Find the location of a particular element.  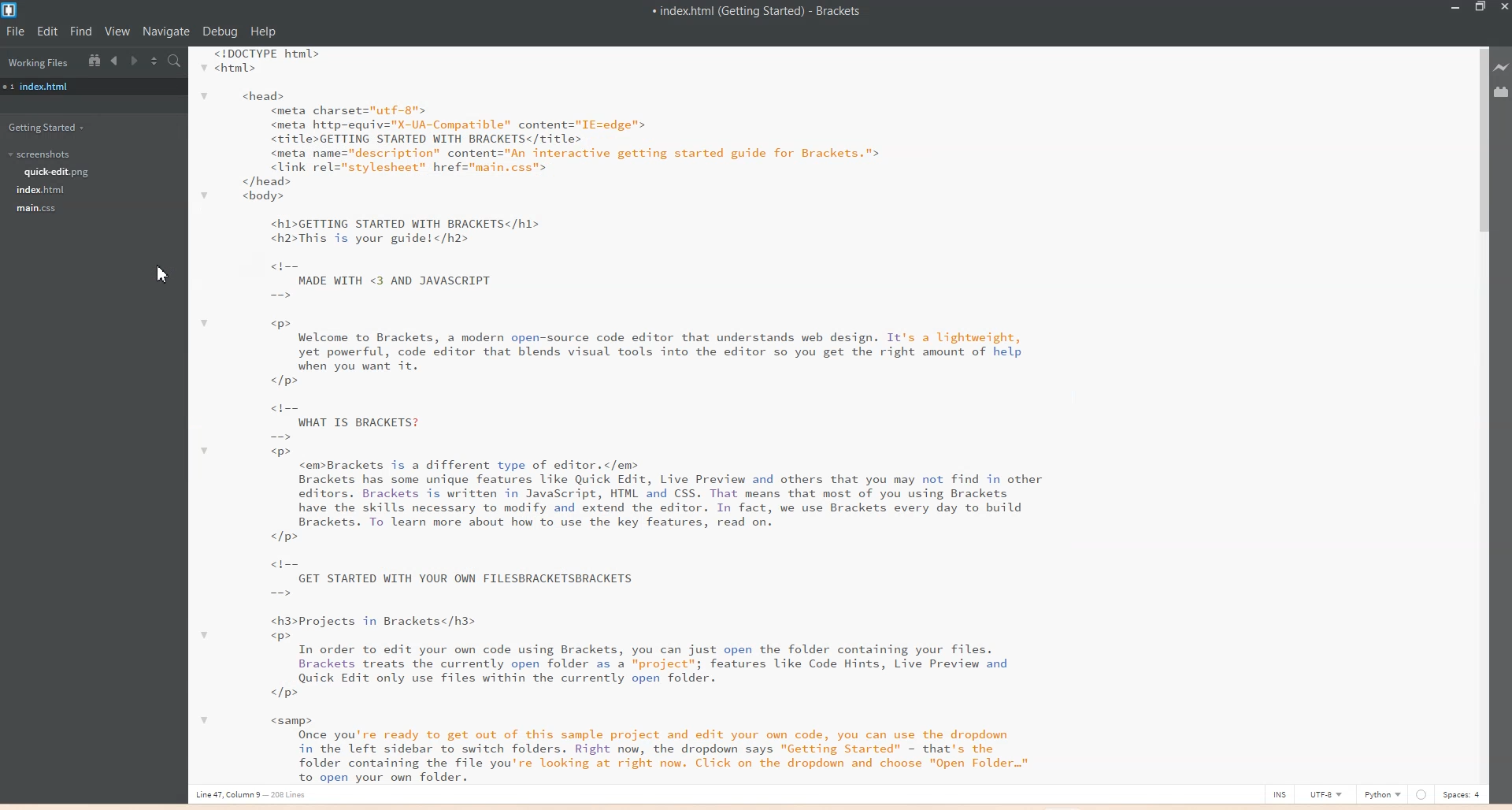

Extensions Manager is located at coordinates (1502, 91).